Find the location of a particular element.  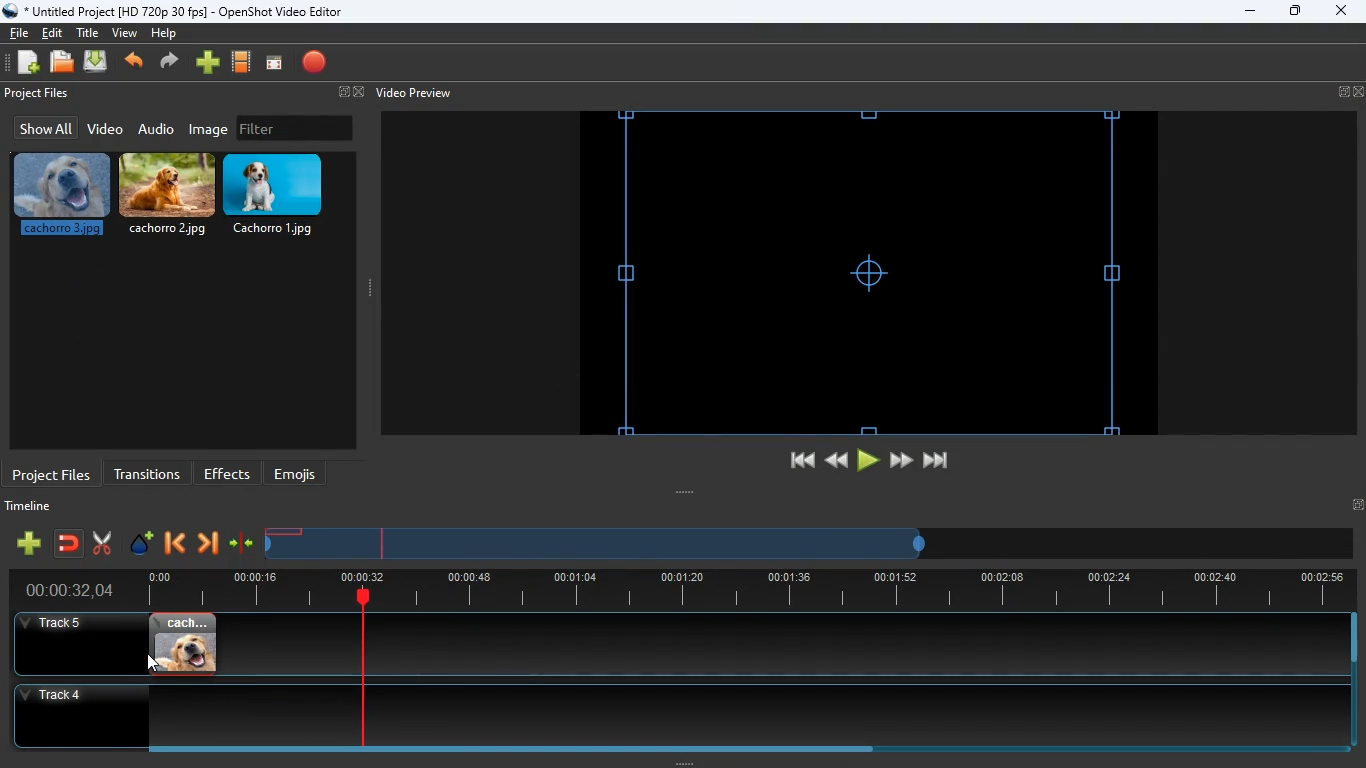

upload is located at coordinates (98, 63).